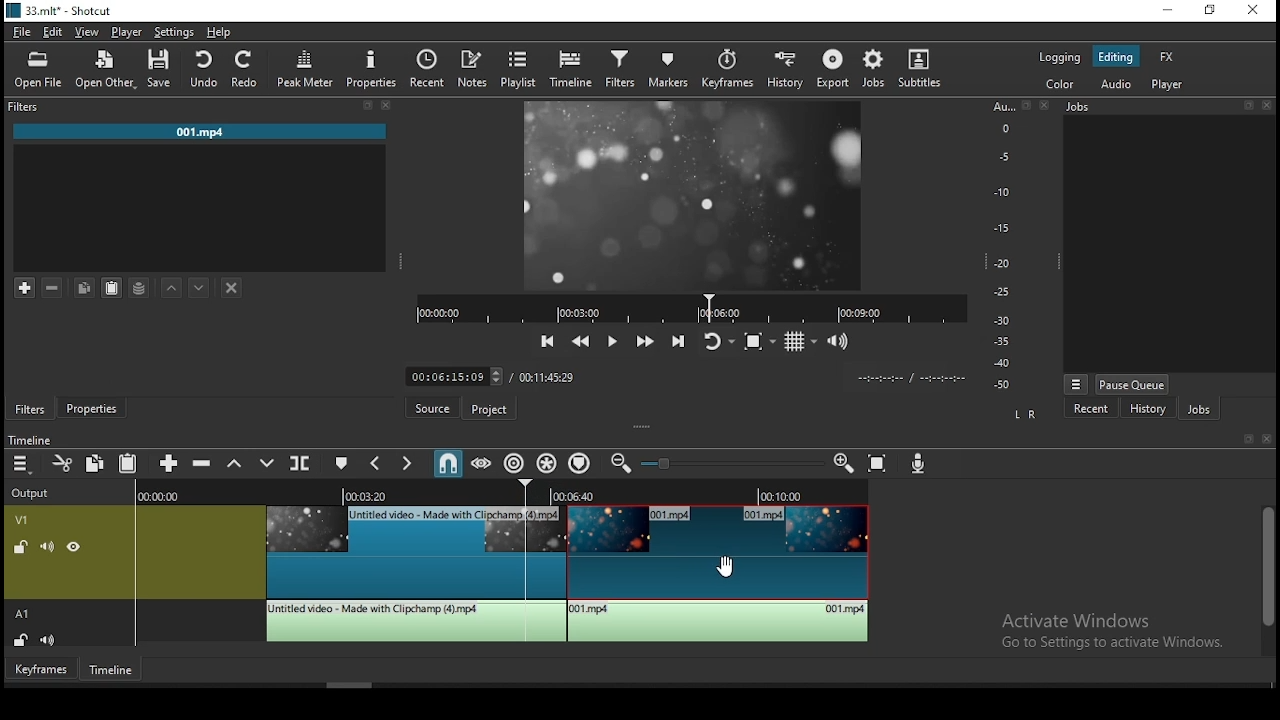  What do you see at coordinates (343, 464) in the screenshot?
I see `create/edit marker` at bounding box center [343, 464].